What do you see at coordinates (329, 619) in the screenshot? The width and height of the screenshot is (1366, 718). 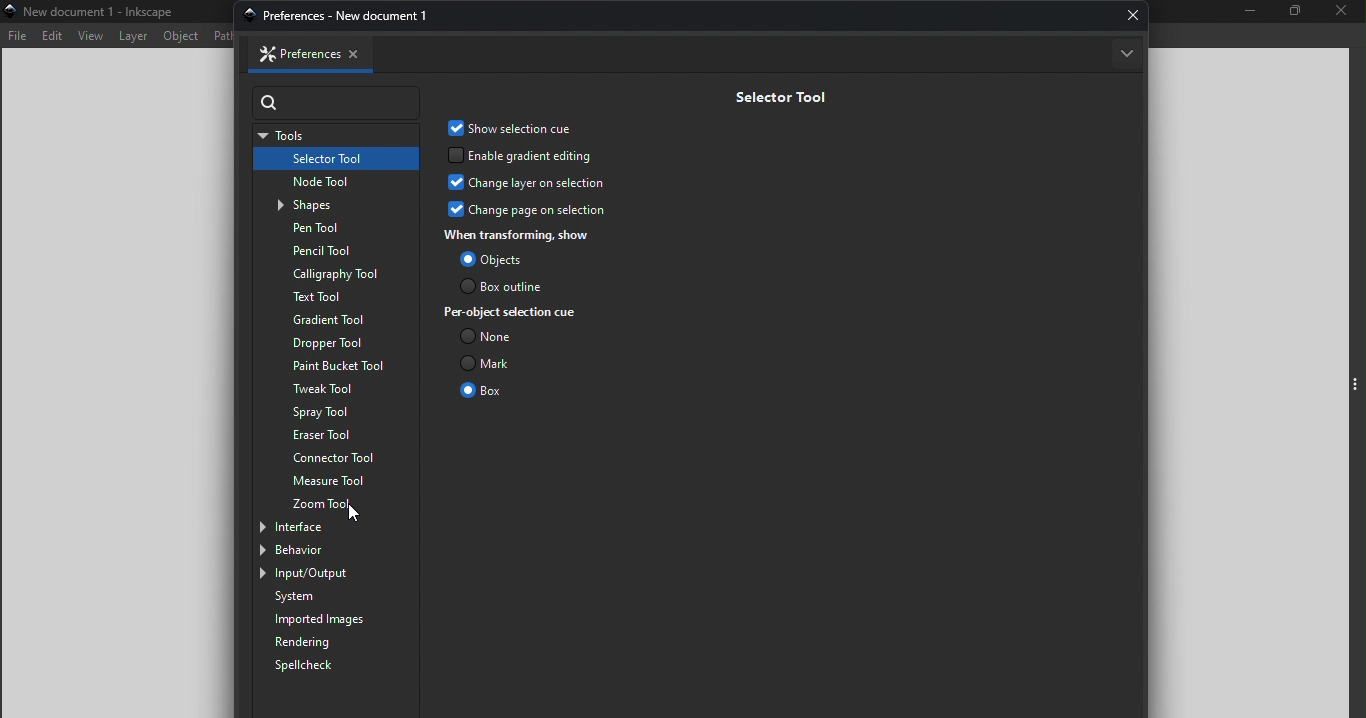 I see `Imported images` at bounding box center [329, 619].